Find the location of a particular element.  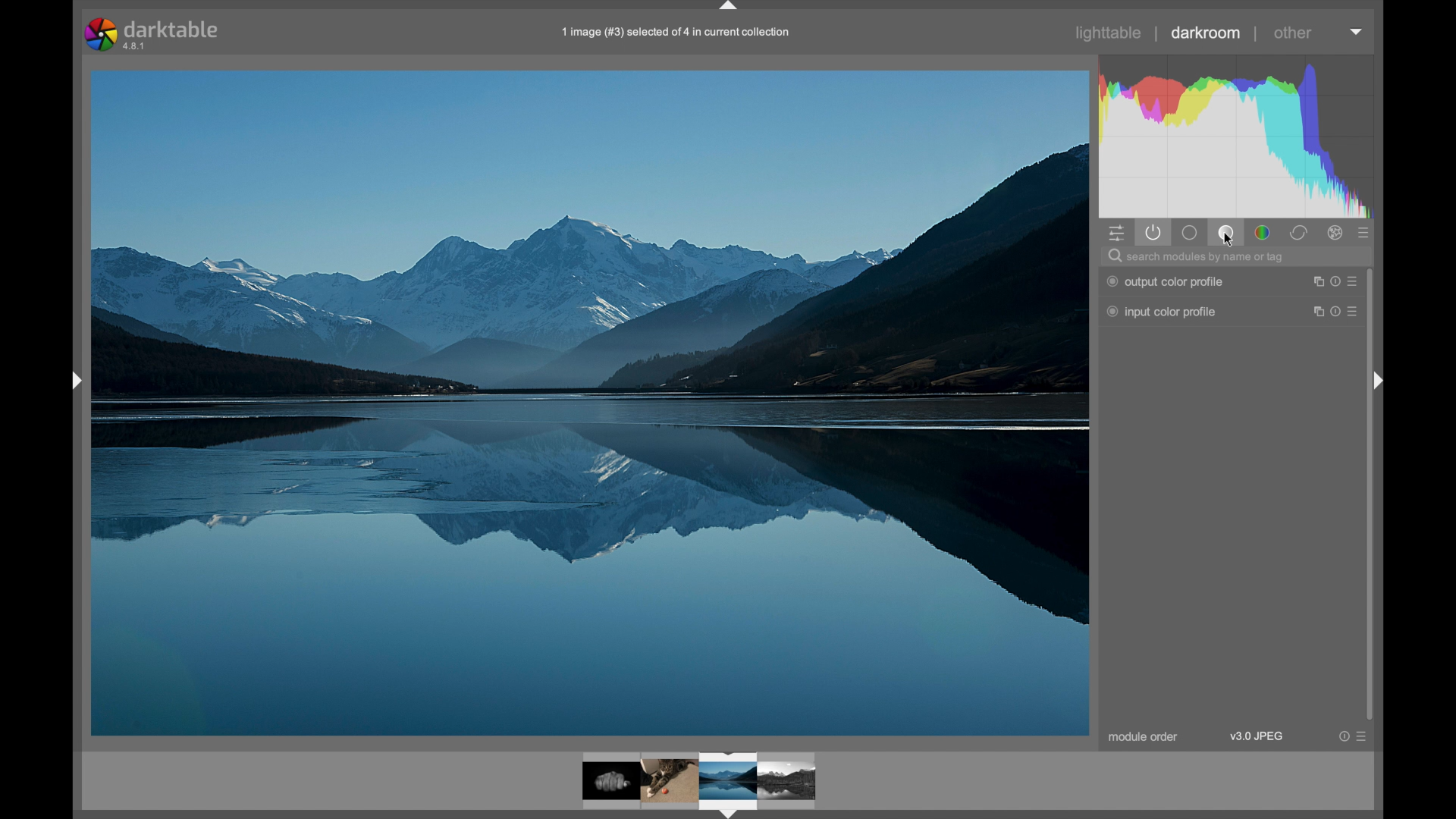

drag handle is located at coordinates (74, 382).